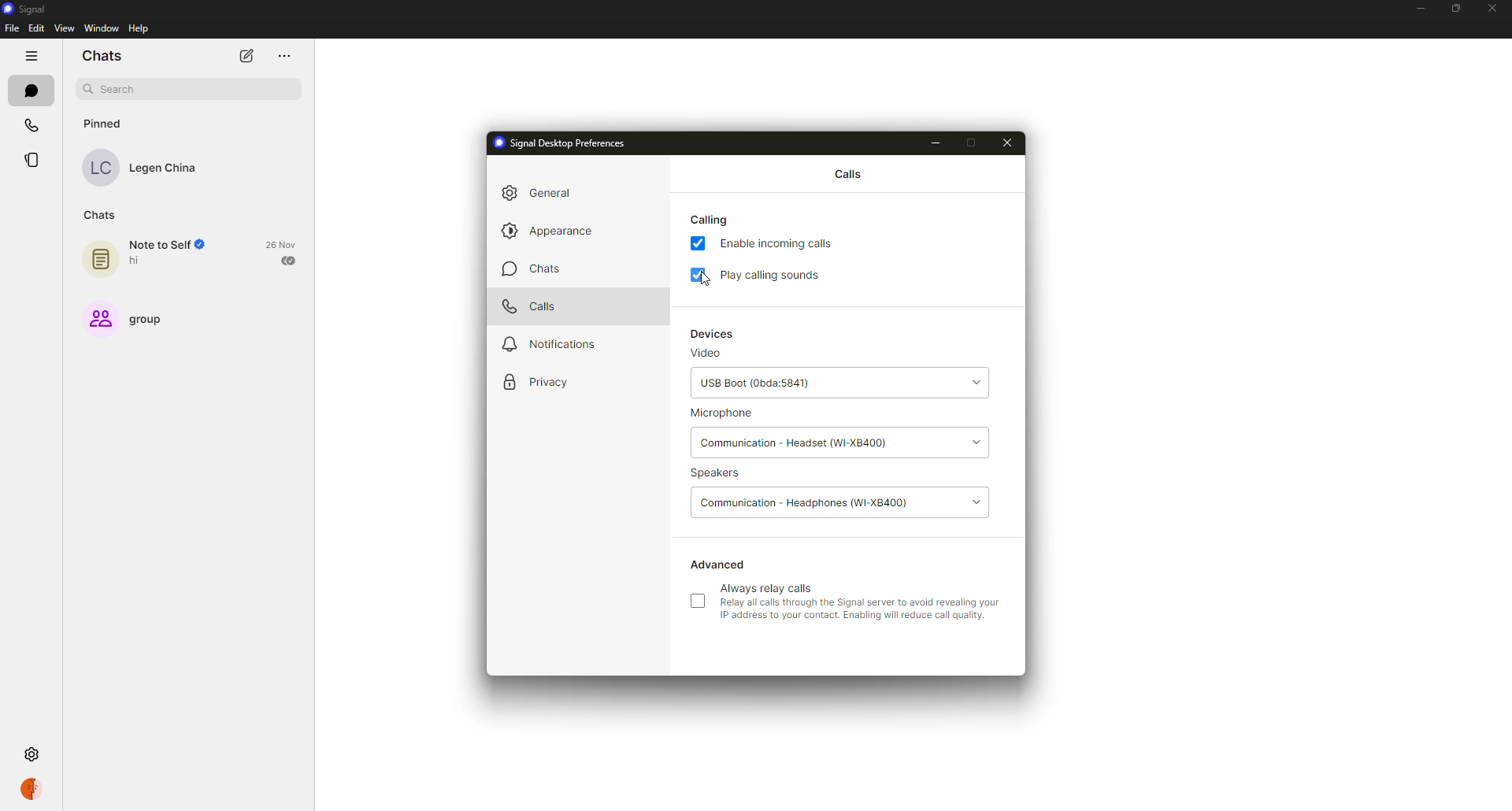 This screenshot has width=1512, height=811. I want to click on pinned, so click(106, 124).